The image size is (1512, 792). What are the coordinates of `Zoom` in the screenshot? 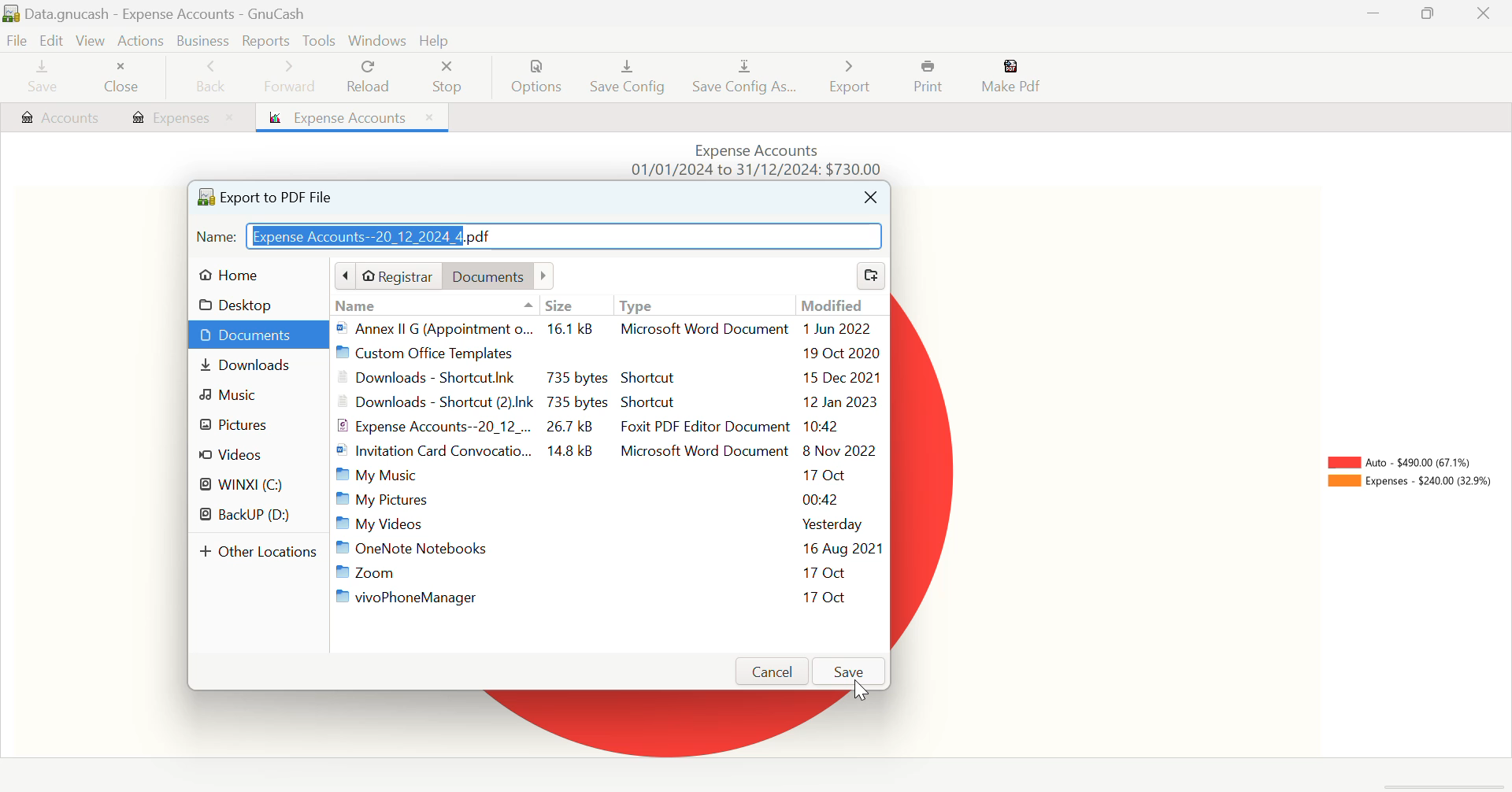 It's located at (609, 572).